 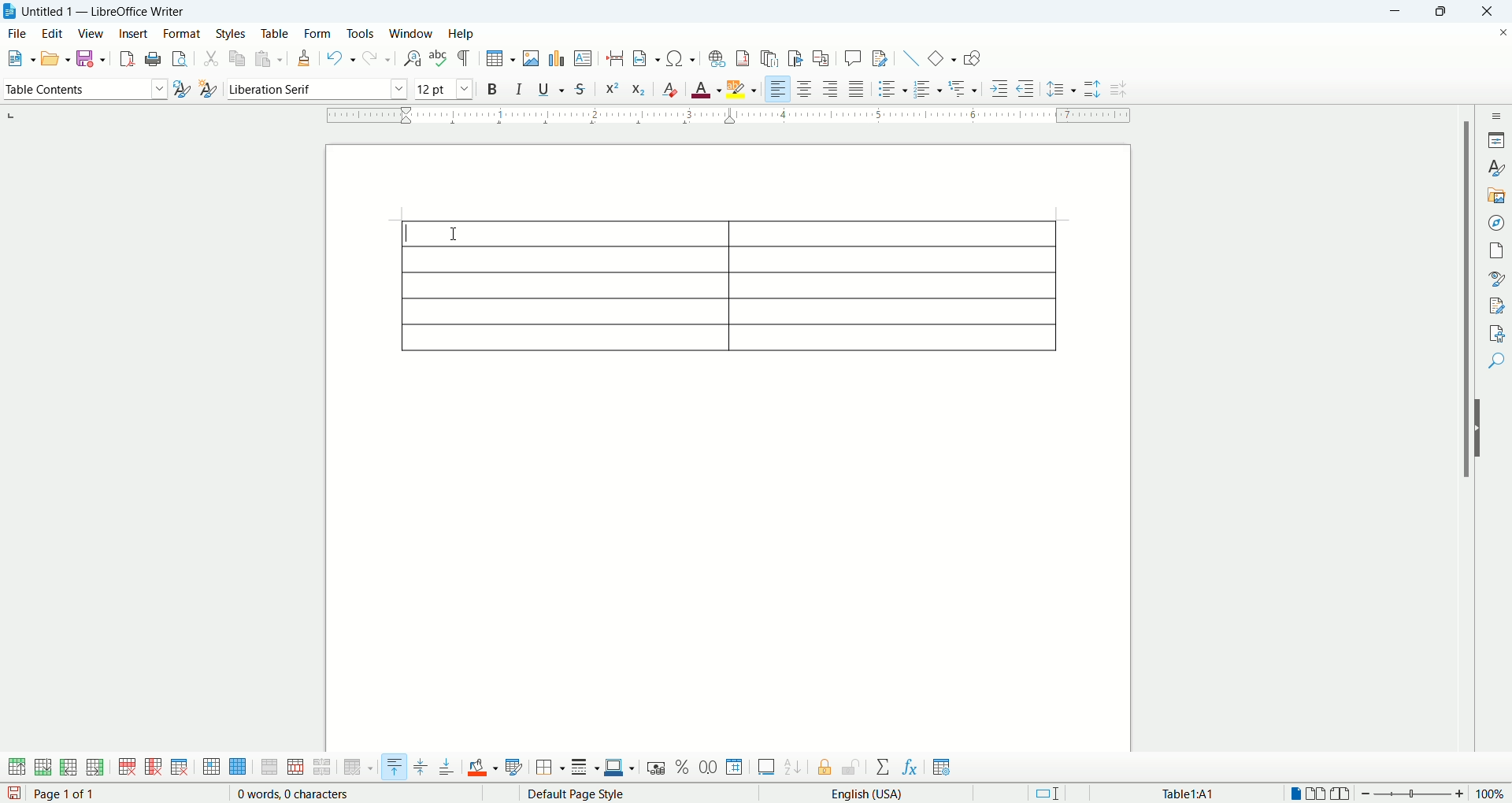 I want to click on table, so click(x=728, y=283).